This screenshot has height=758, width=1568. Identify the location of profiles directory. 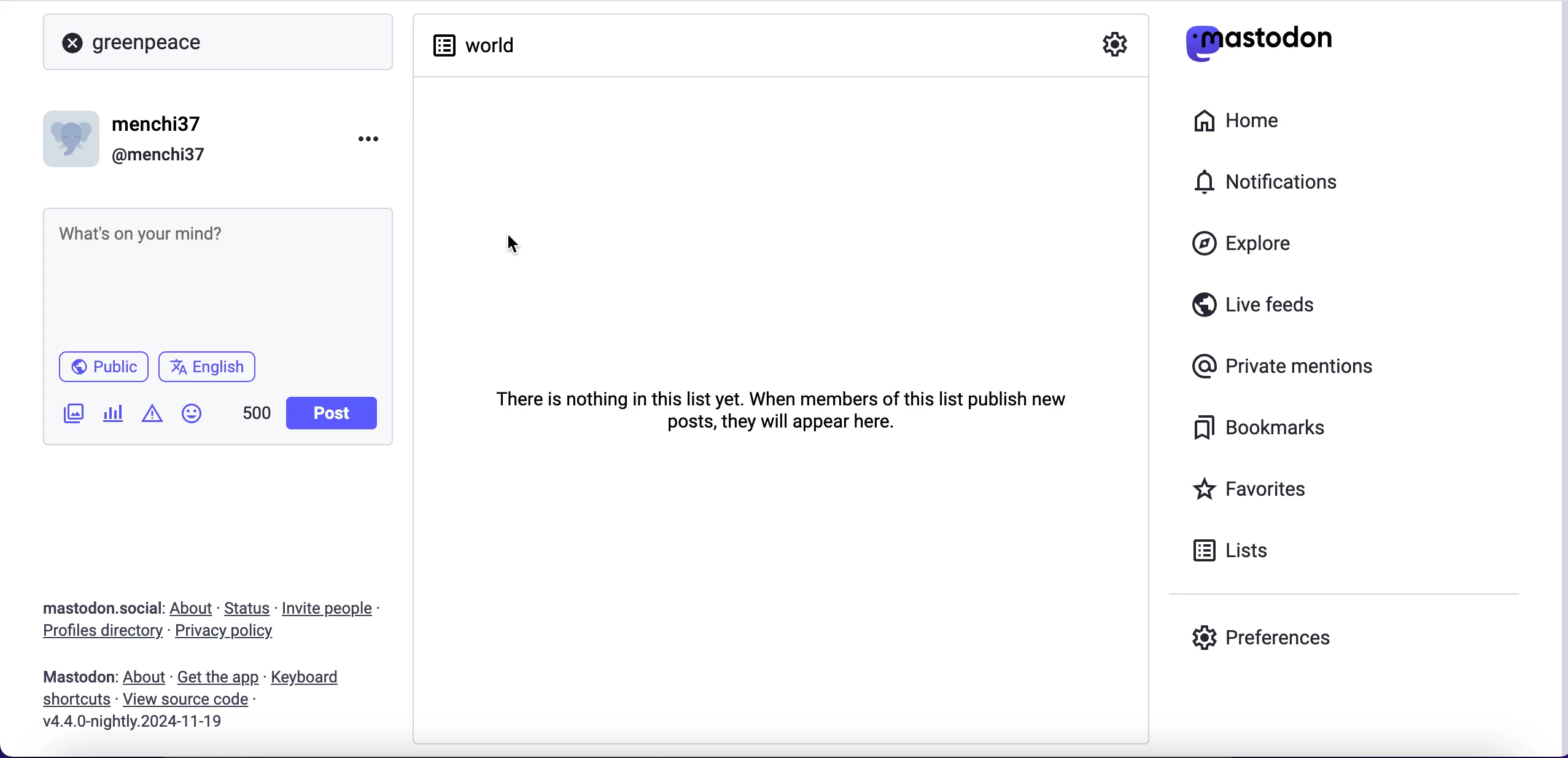
(95, 633).